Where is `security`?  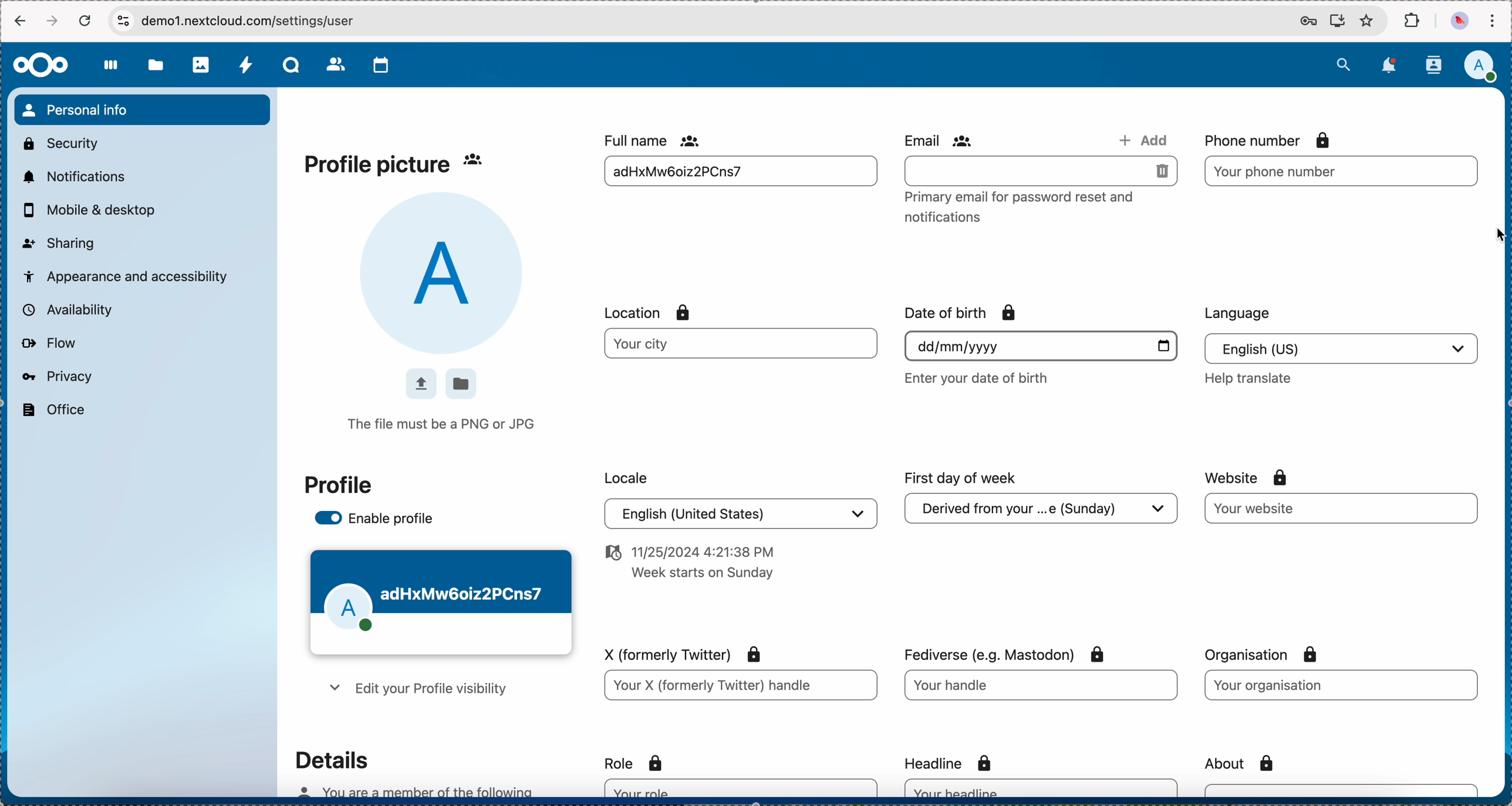 security is located at coordinates (59, 142).